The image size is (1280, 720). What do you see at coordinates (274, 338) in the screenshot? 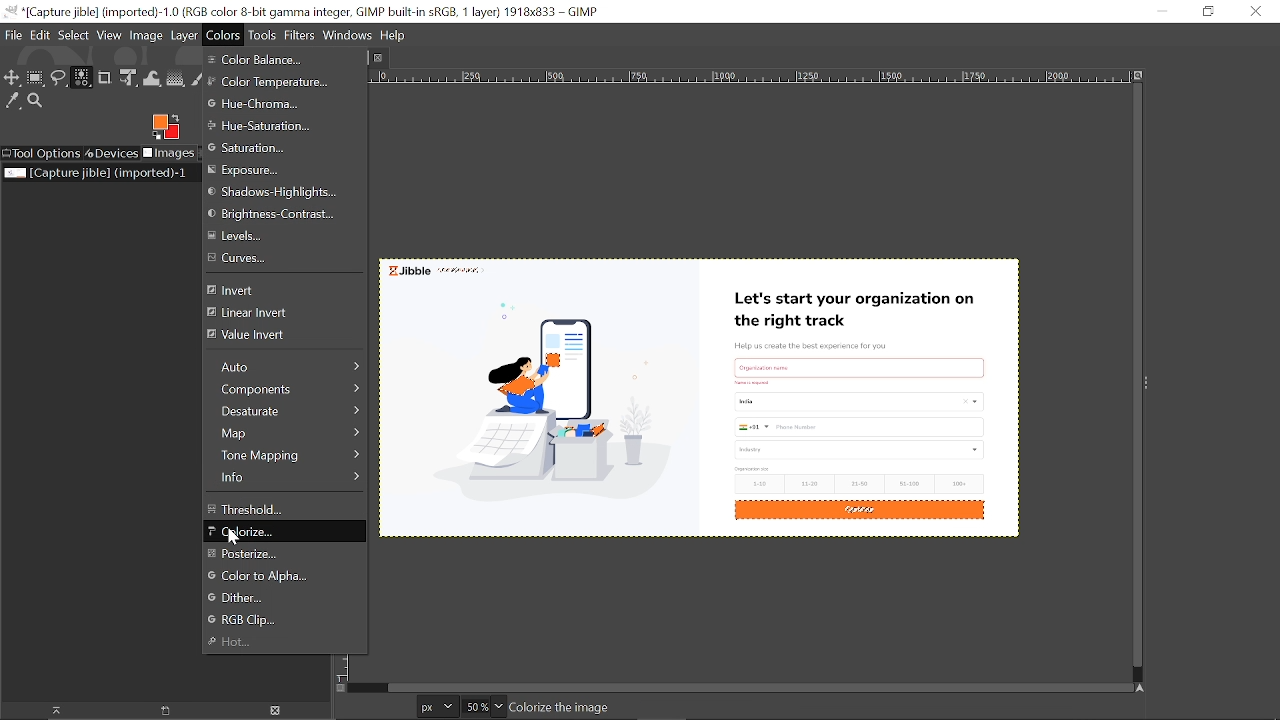
I see `` at bounding box center [274, 338].